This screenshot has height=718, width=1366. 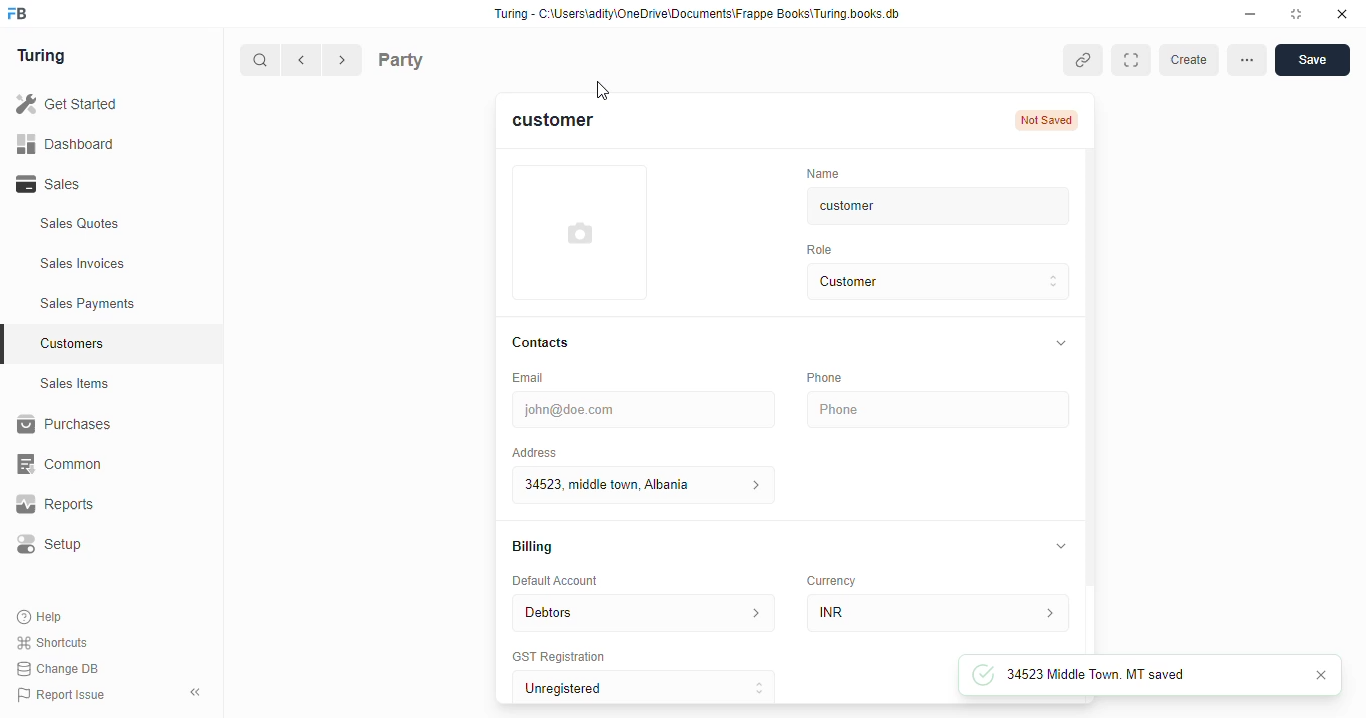 What do you see at coordinates (557, 656) in the screenshot?
I see `‘GST Registration` at bounding box center [557, 656].